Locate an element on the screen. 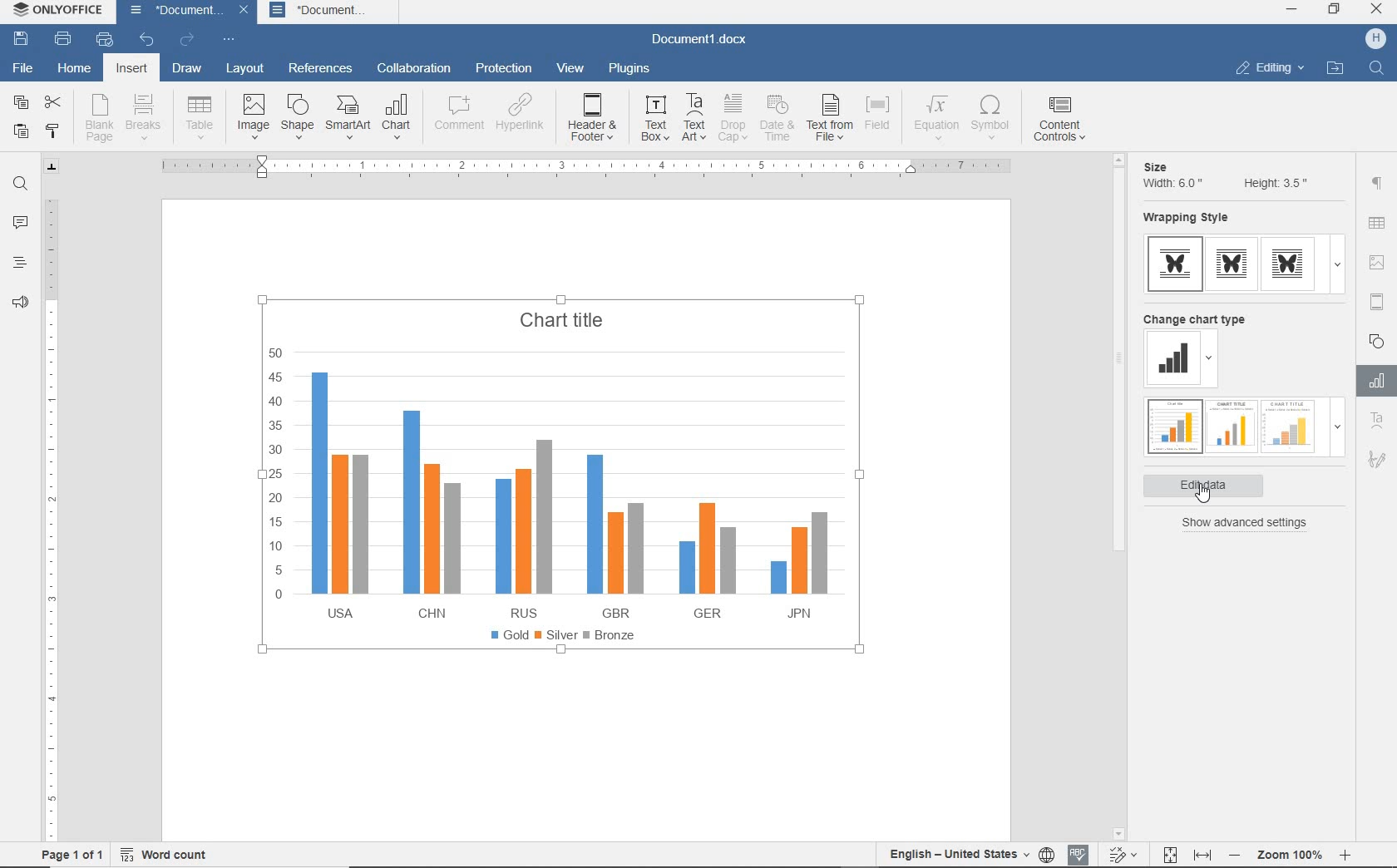 The image size is (1397, 868). find is located at coordinates (1375, 67).